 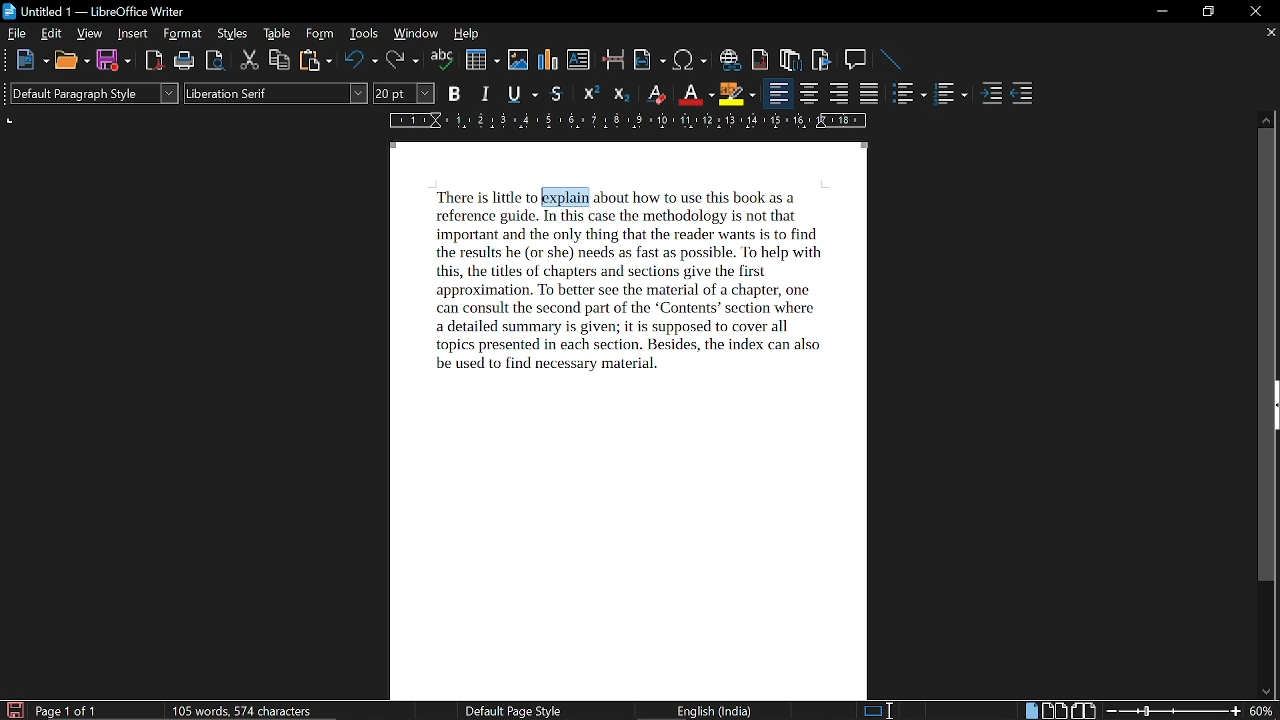 I want to click on center, so click(x=810, y=94).